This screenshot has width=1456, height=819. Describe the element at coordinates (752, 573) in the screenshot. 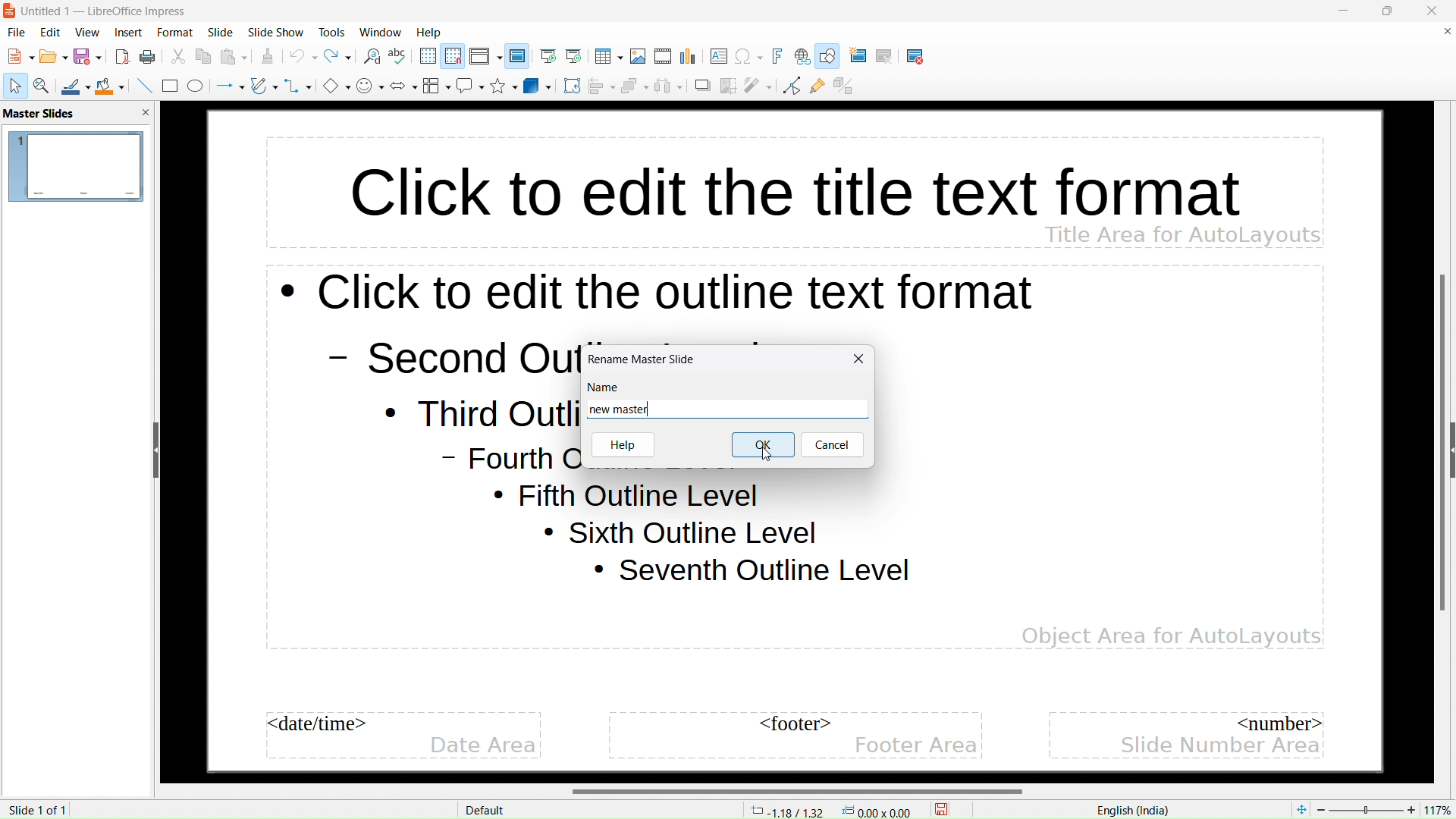

I see `Seventh outline level` at that location.